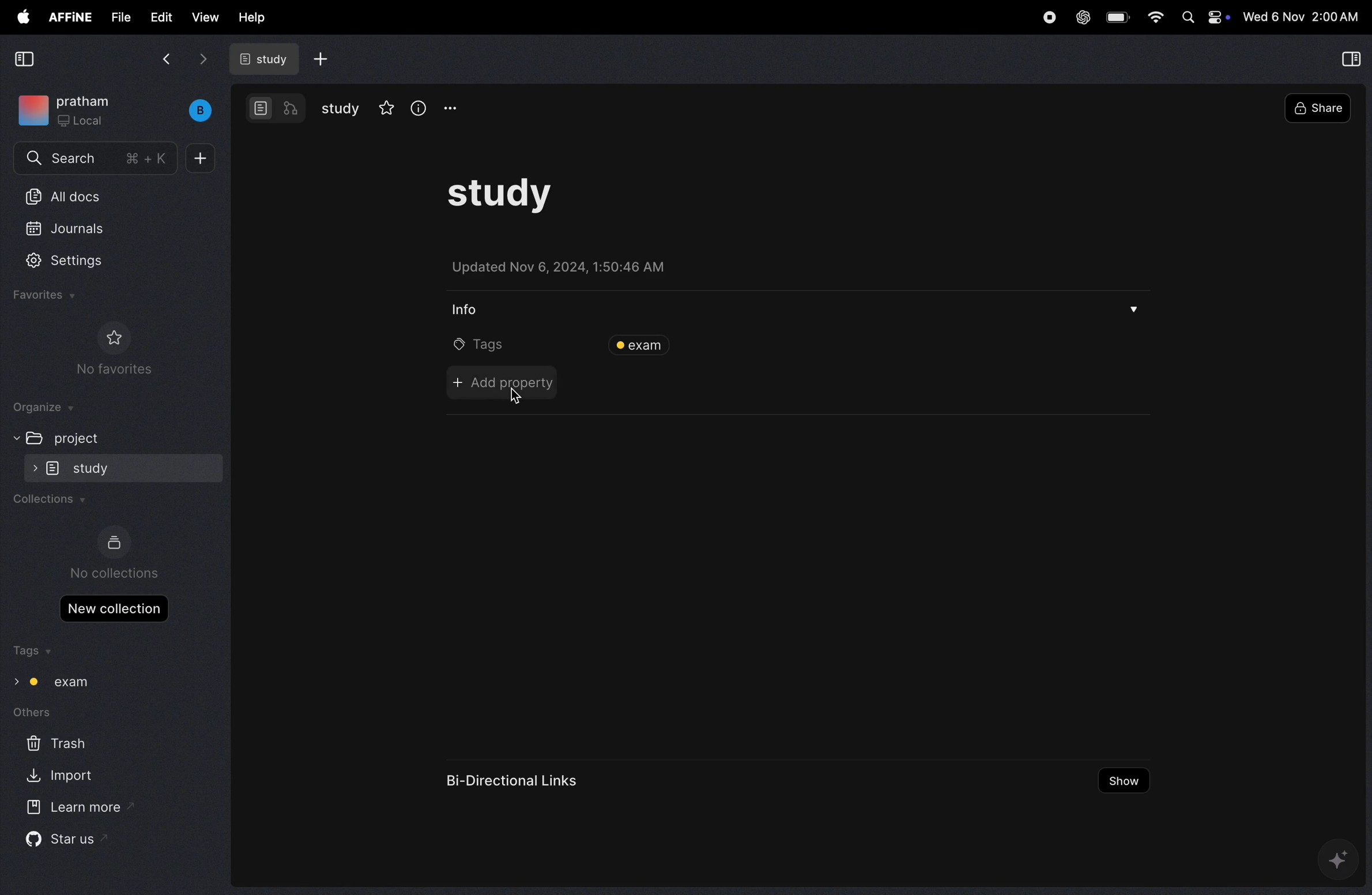 Image resolution: width=1372 pixels, height=895 pixels. Describe the element at coordinates (79, 259) in the screenshot. I see `settings` at that location.